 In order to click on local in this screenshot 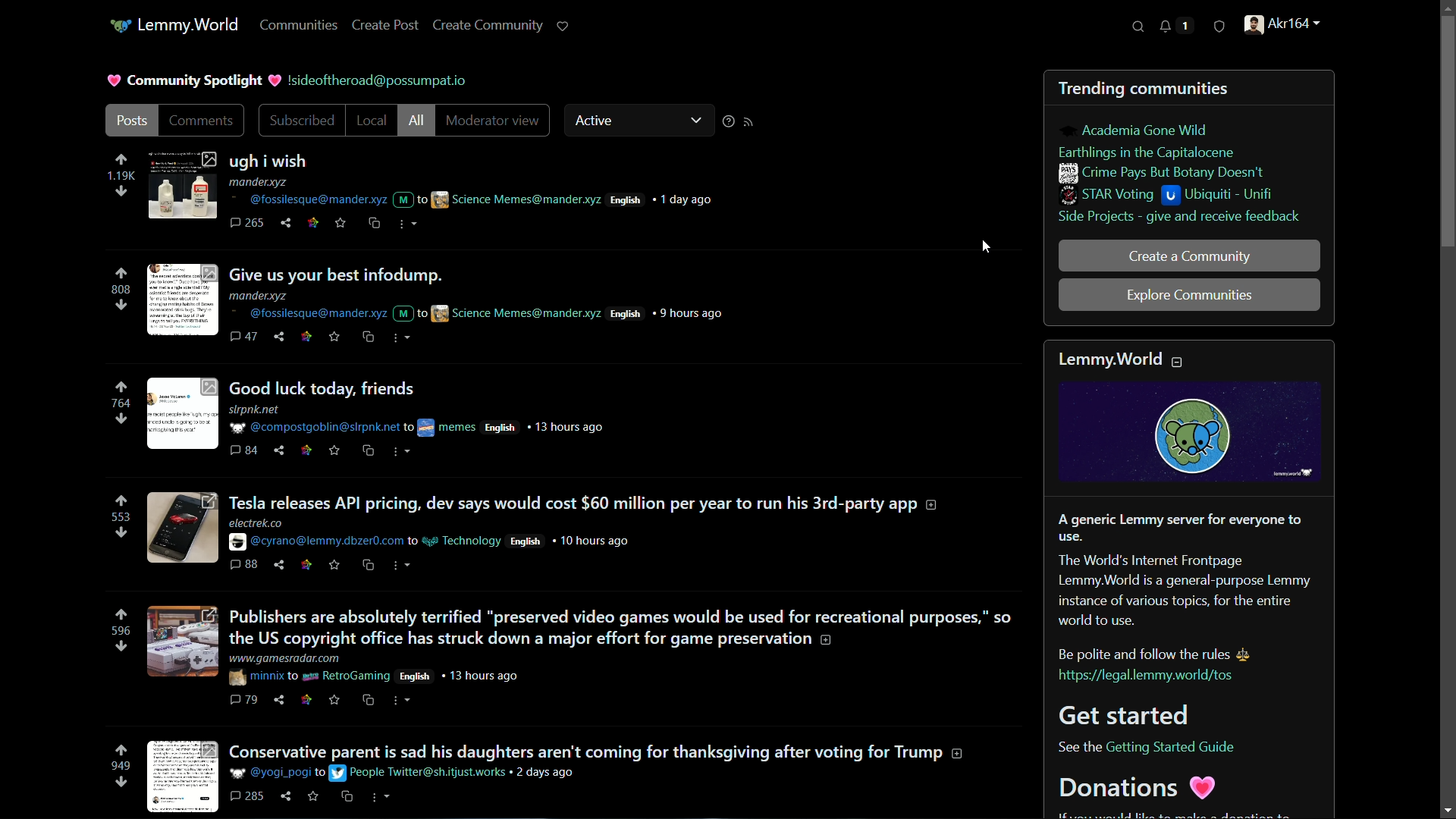, I will do `click(368, 121)`.